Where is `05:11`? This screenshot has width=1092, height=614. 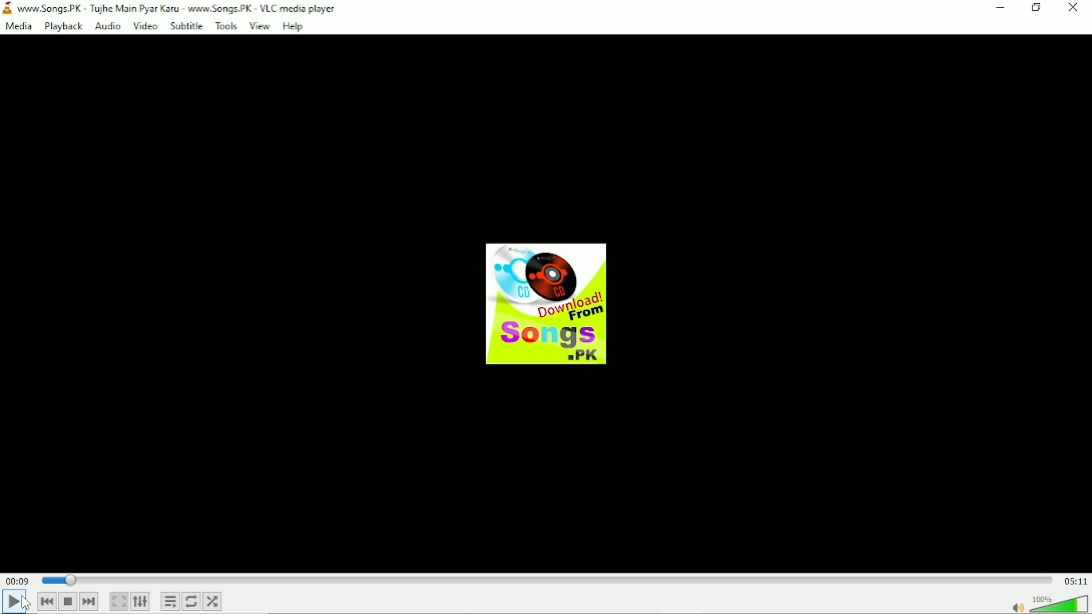
05:11 is located at coordinates (1072, 580).